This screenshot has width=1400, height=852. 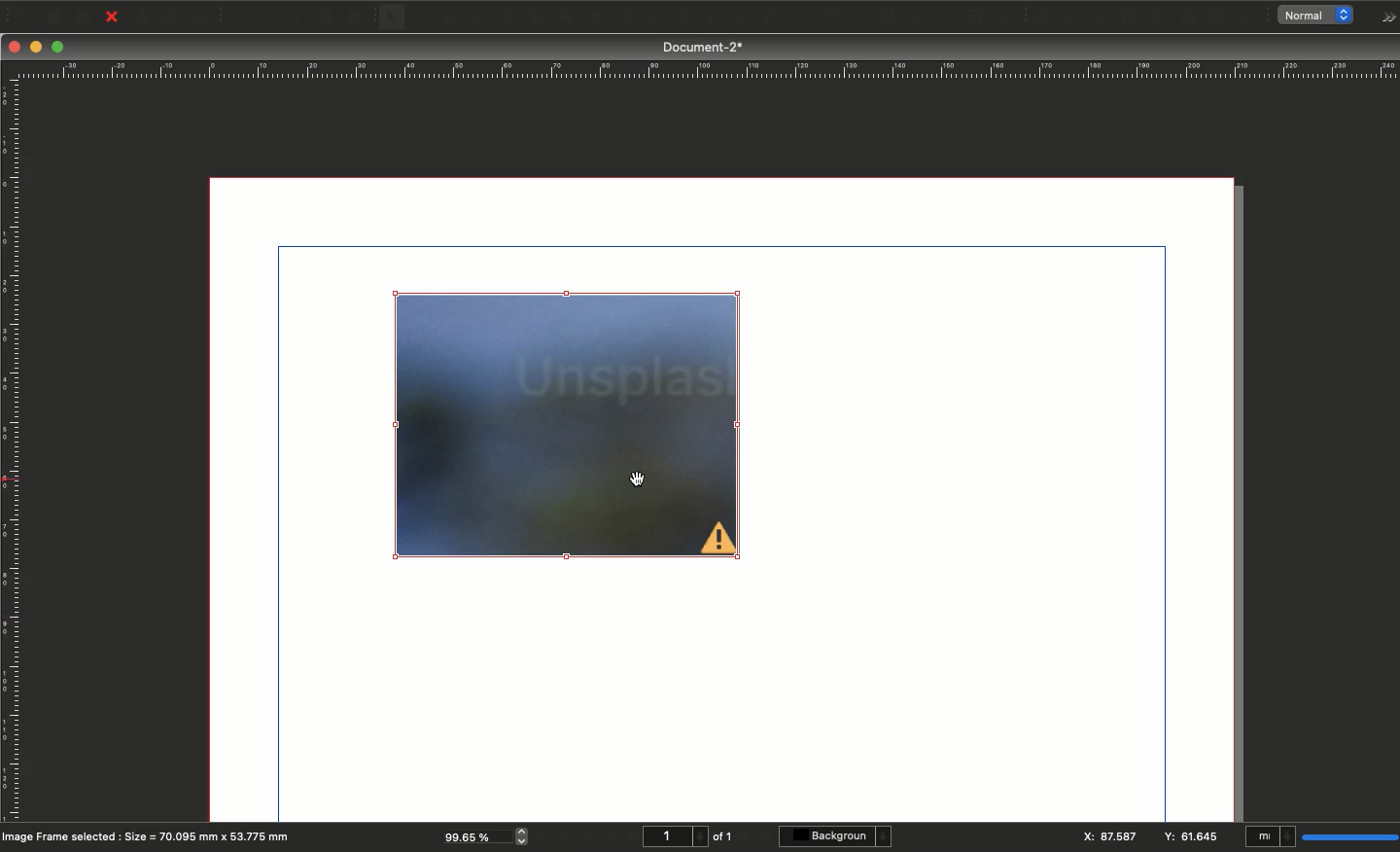 I want to click on cursor, so click(x=633, y=480).